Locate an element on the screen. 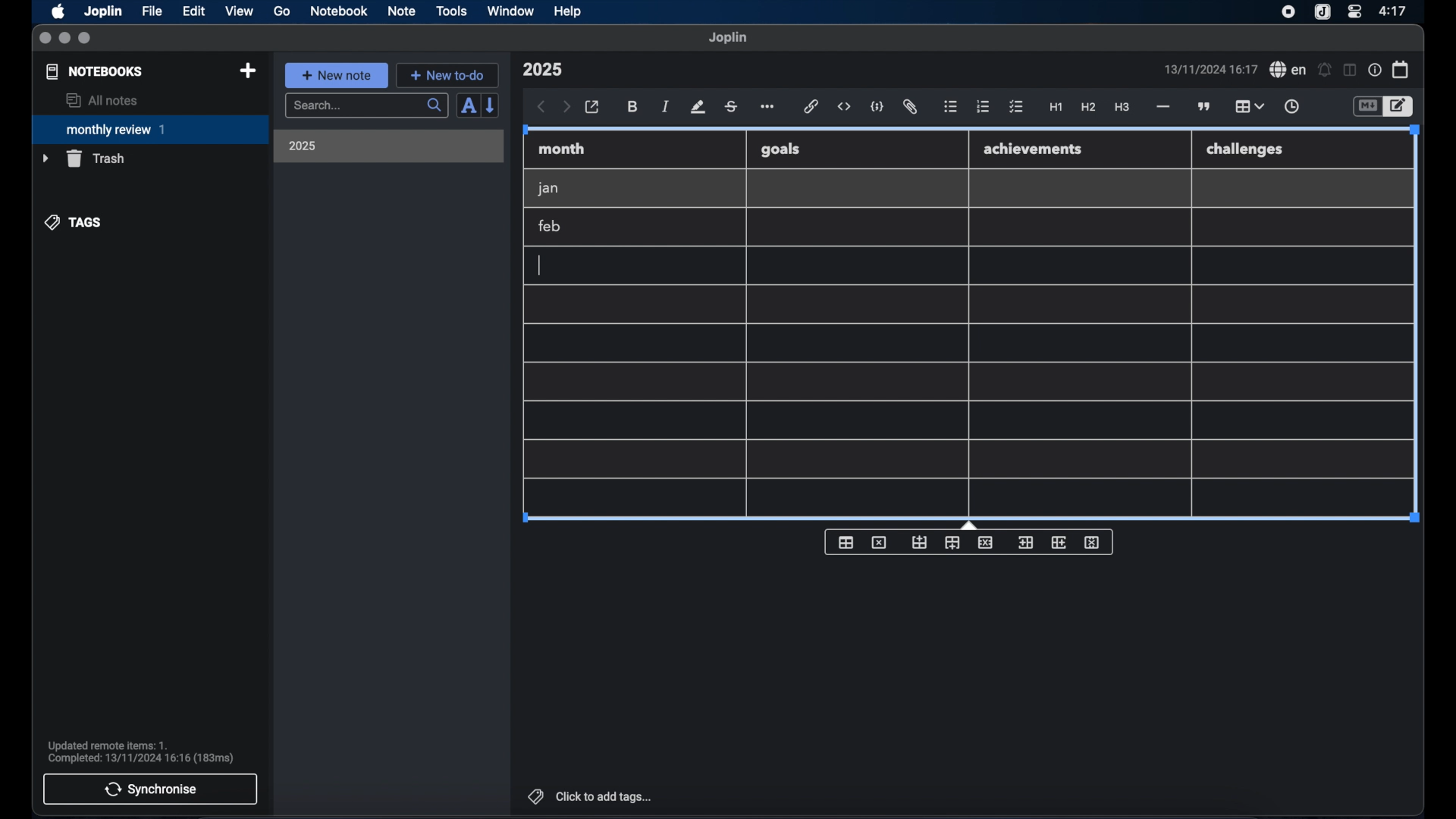  inline code is located at coordinates (844, 107).